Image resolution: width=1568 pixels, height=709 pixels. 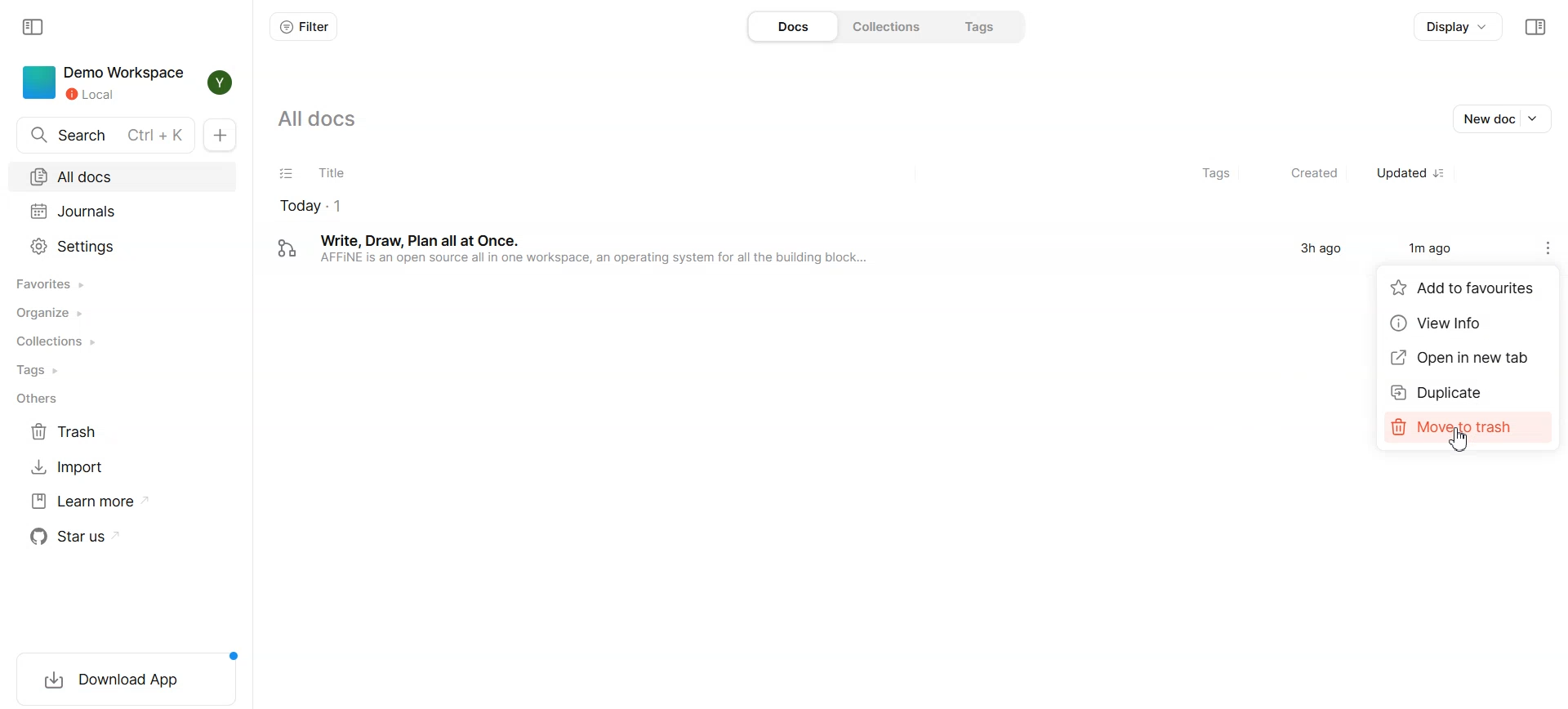 What do you see at coordinates (303, 27) in the screenshot?
I see `Filter` at bounding box center [303, 27].